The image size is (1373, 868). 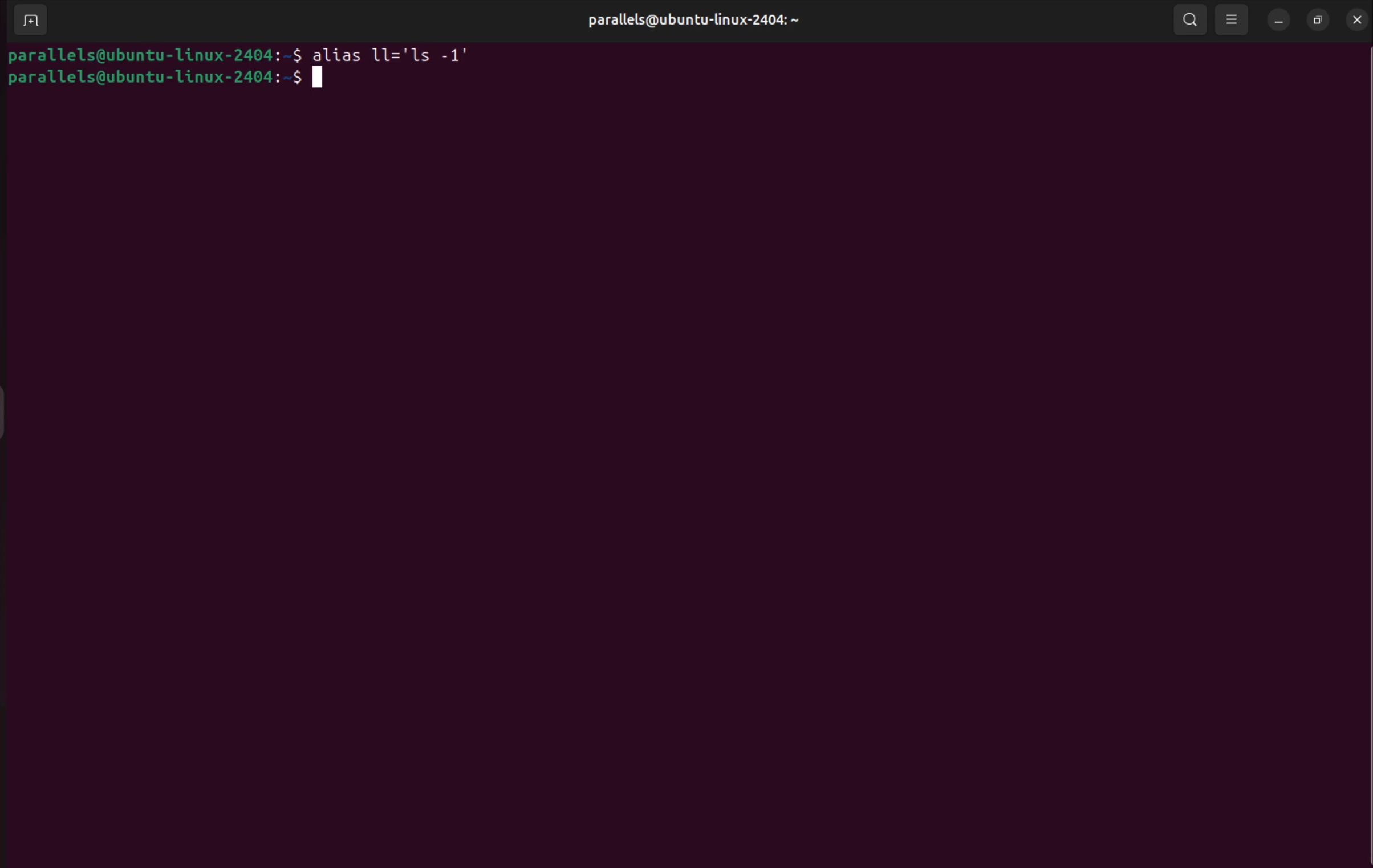 I want to click on resize, so click(x=1316, y=22).